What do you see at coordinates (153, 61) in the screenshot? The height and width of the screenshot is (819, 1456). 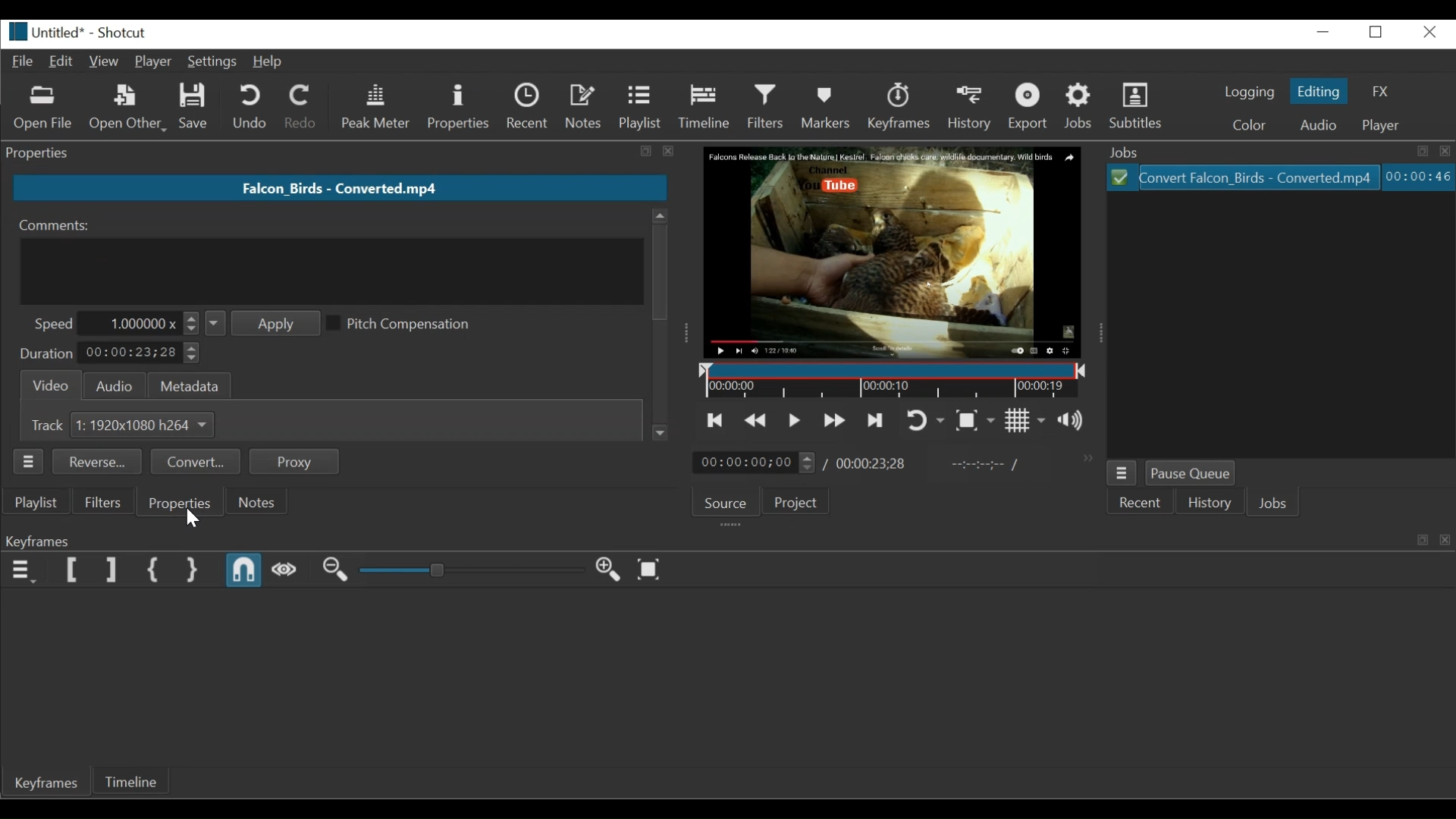 I see `Player` at bounding box center [153, 61].